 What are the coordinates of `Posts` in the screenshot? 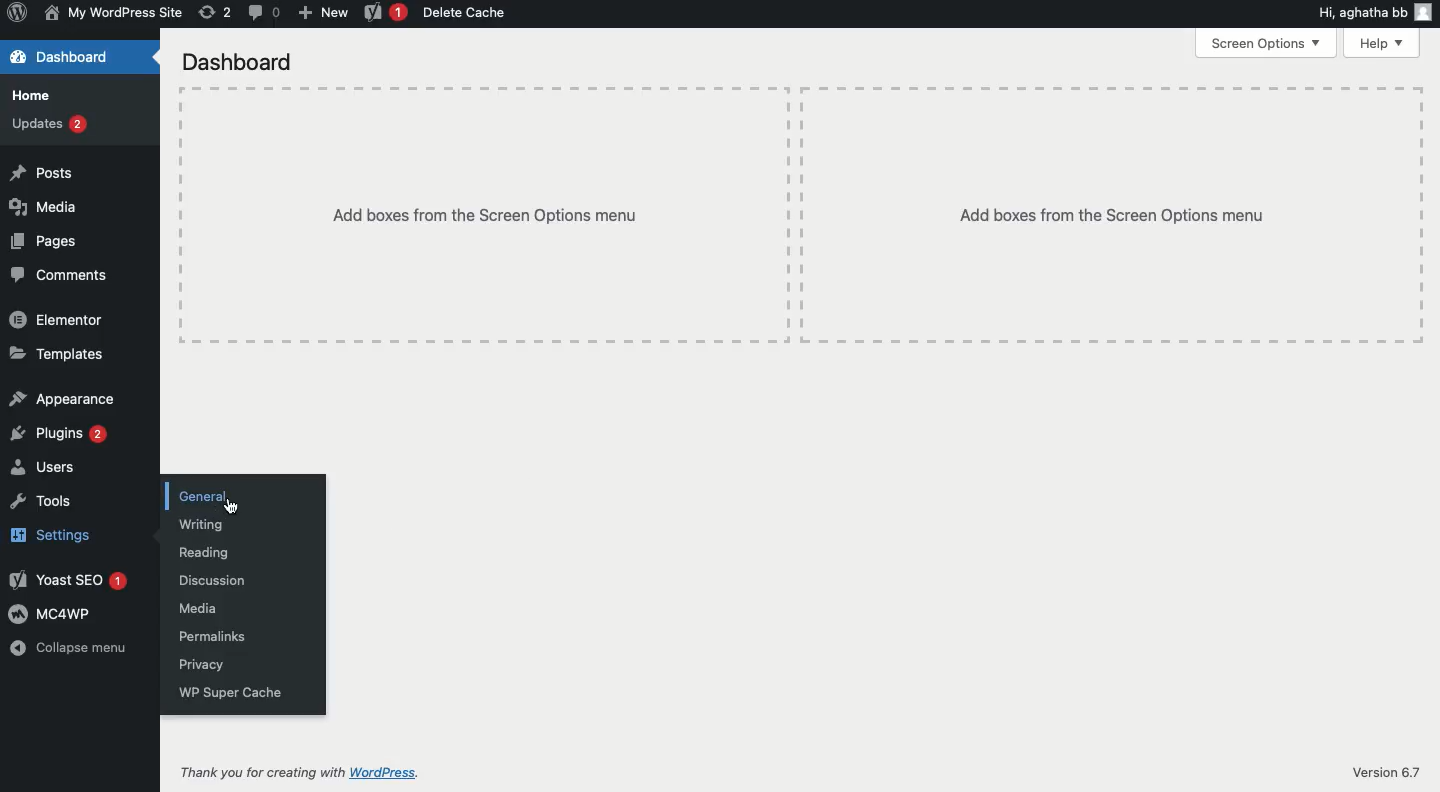 It's located at (40, 172).